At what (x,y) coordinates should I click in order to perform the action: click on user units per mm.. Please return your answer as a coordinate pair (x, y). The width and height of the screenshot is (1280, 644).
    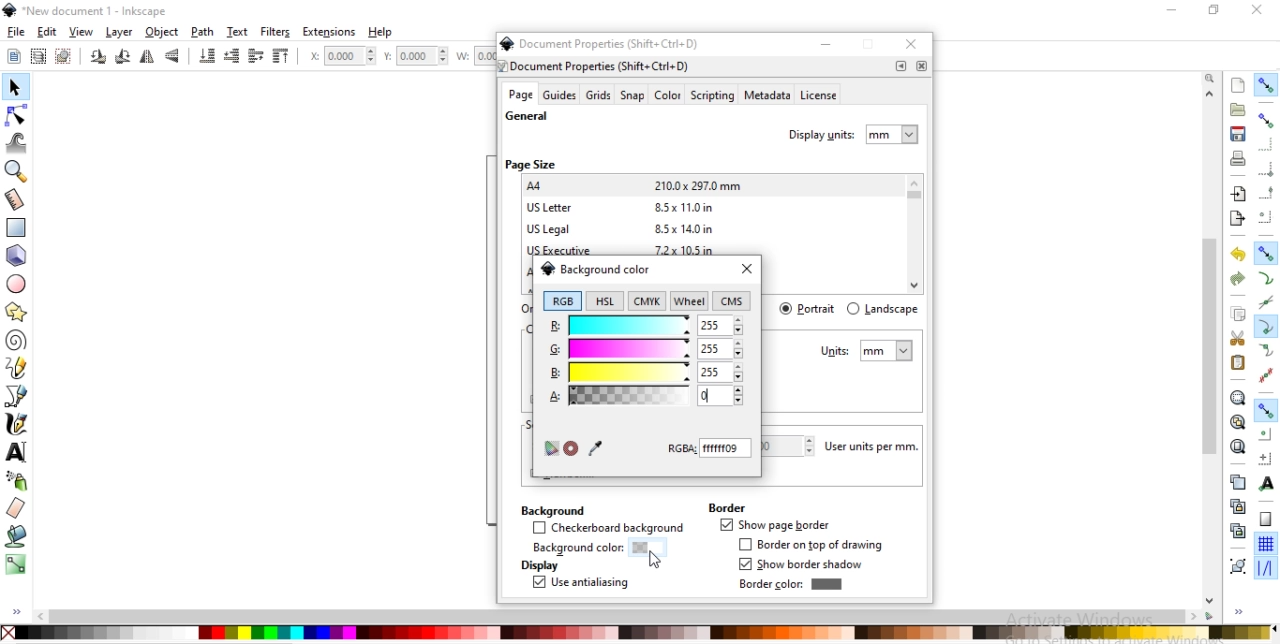
    Looking at the image, I should click on (877, 447).